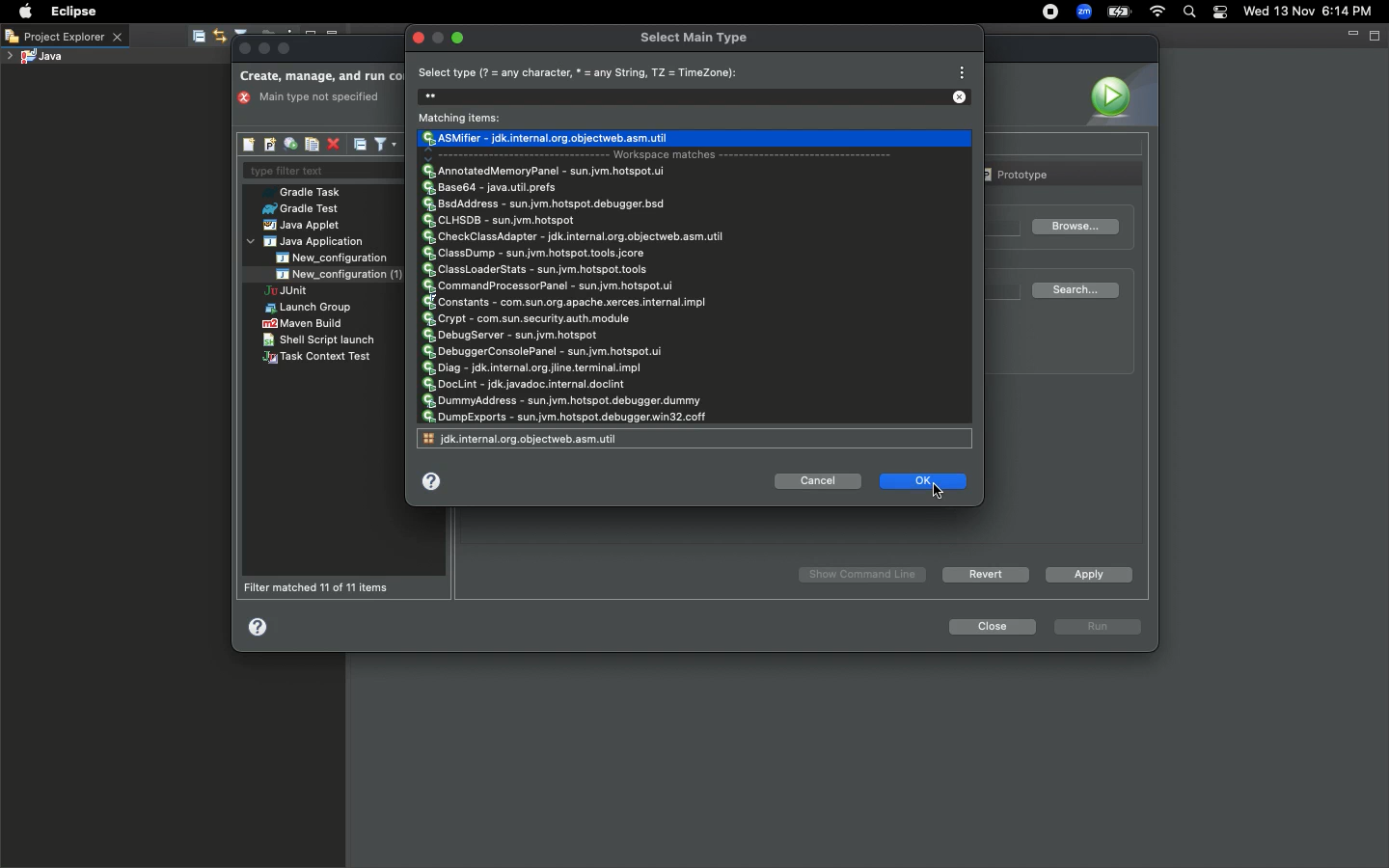 This screenshot has width=1389, height=868. I want to click on Show Command Line, so click(864, 575).